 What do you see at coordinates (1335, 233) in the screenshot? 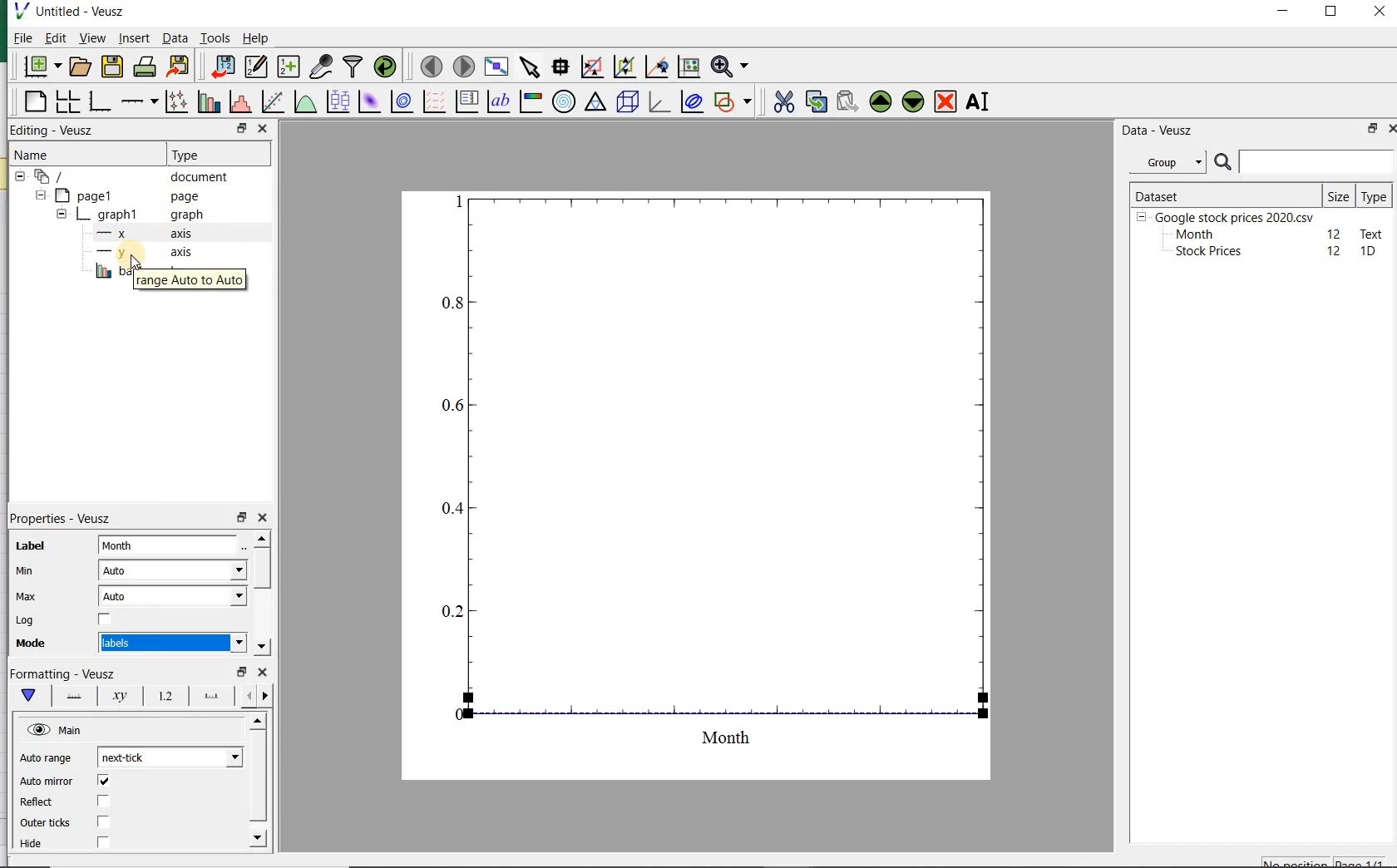
I see `12` at bounding box center [1335, 233].